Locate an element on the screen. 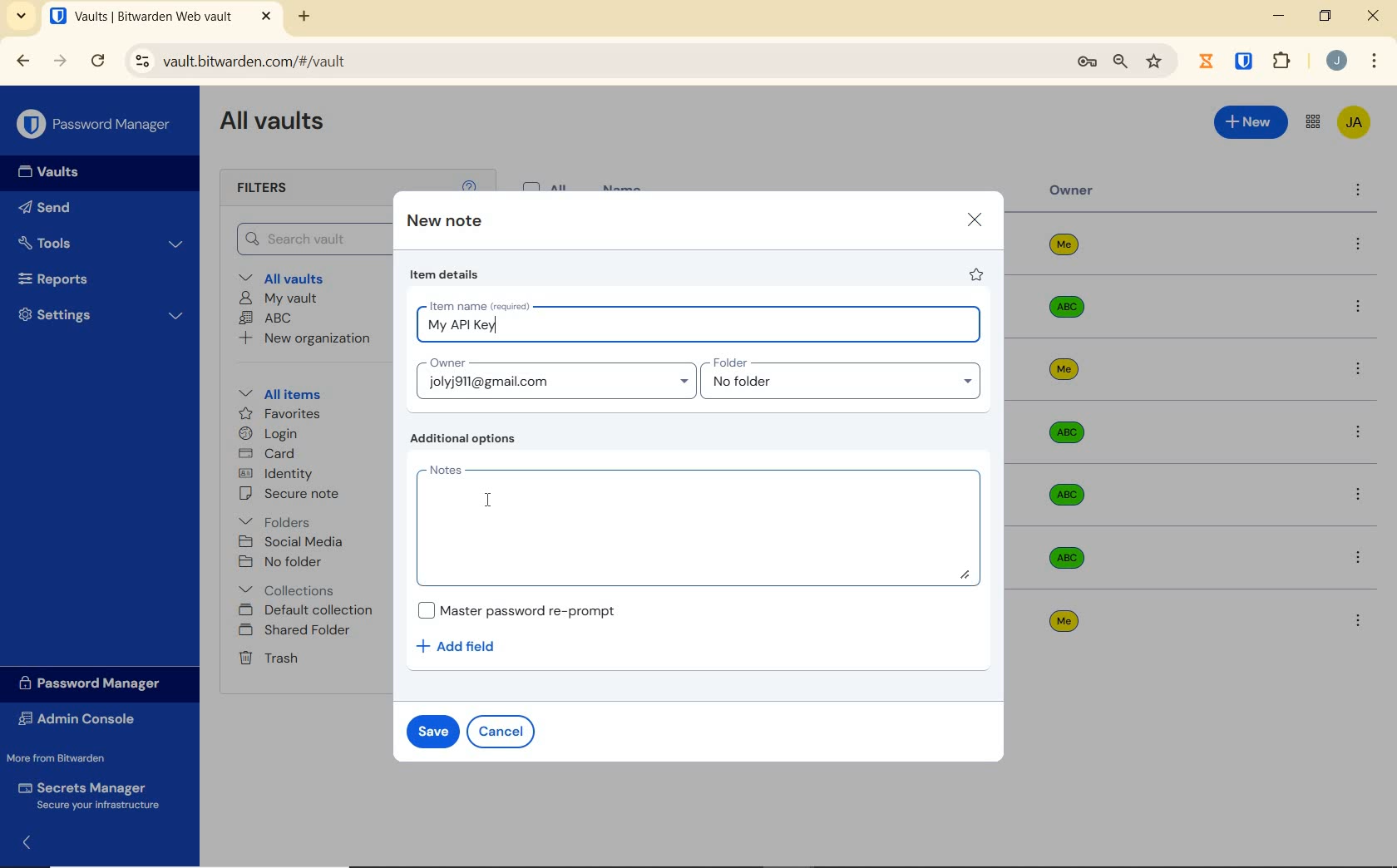 Image resolution: width=1397 pixels, height=868 pixels. expand/collapse is located at coordinates (30, 841).